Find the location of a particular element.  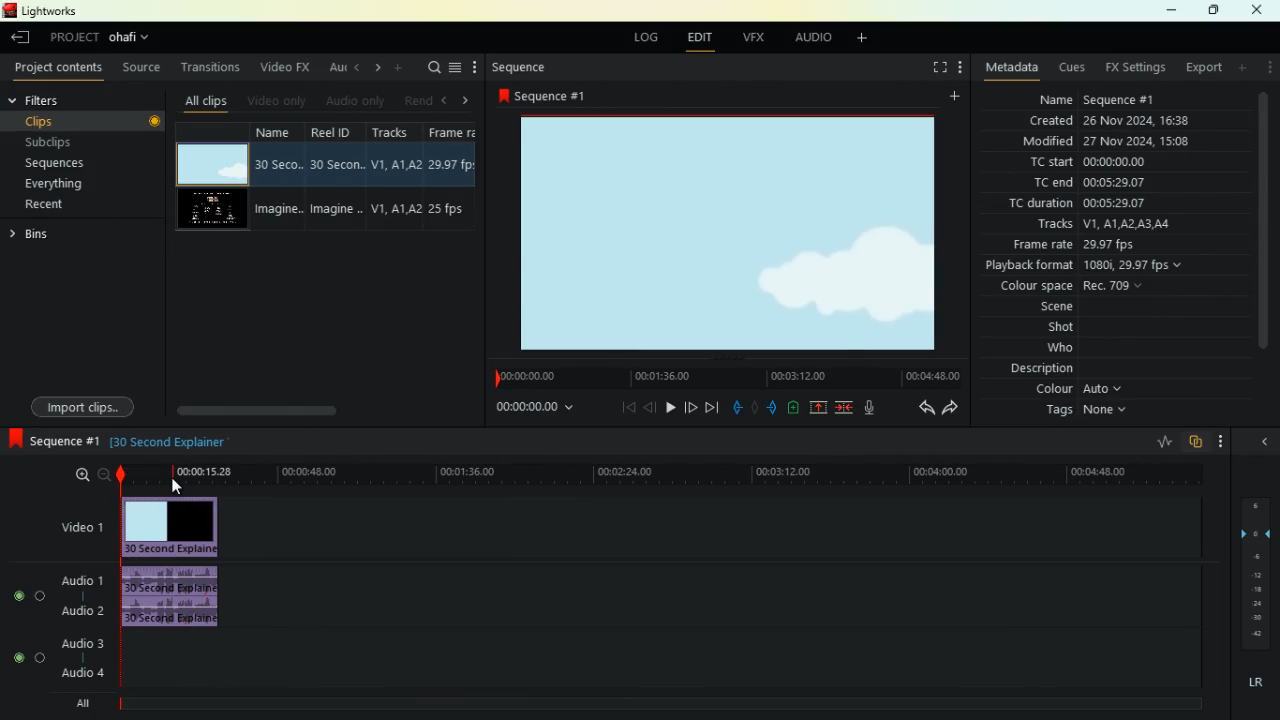

Cursor is located at coordinates (178, 487).